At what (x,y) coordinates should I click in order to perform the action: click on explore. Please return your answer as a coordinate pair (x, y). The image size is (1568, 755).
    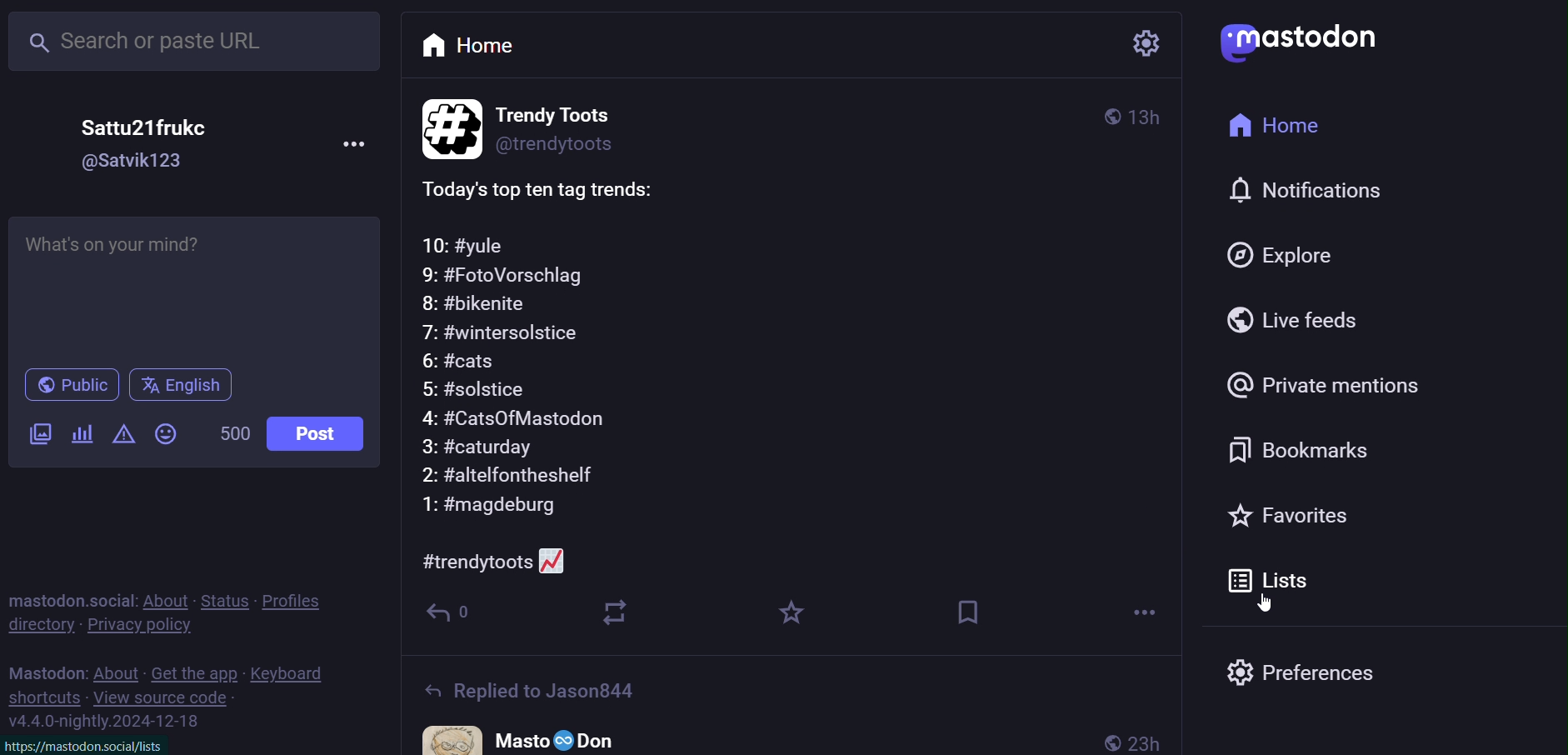
    Looking at the image, I should click on (1278, 254).